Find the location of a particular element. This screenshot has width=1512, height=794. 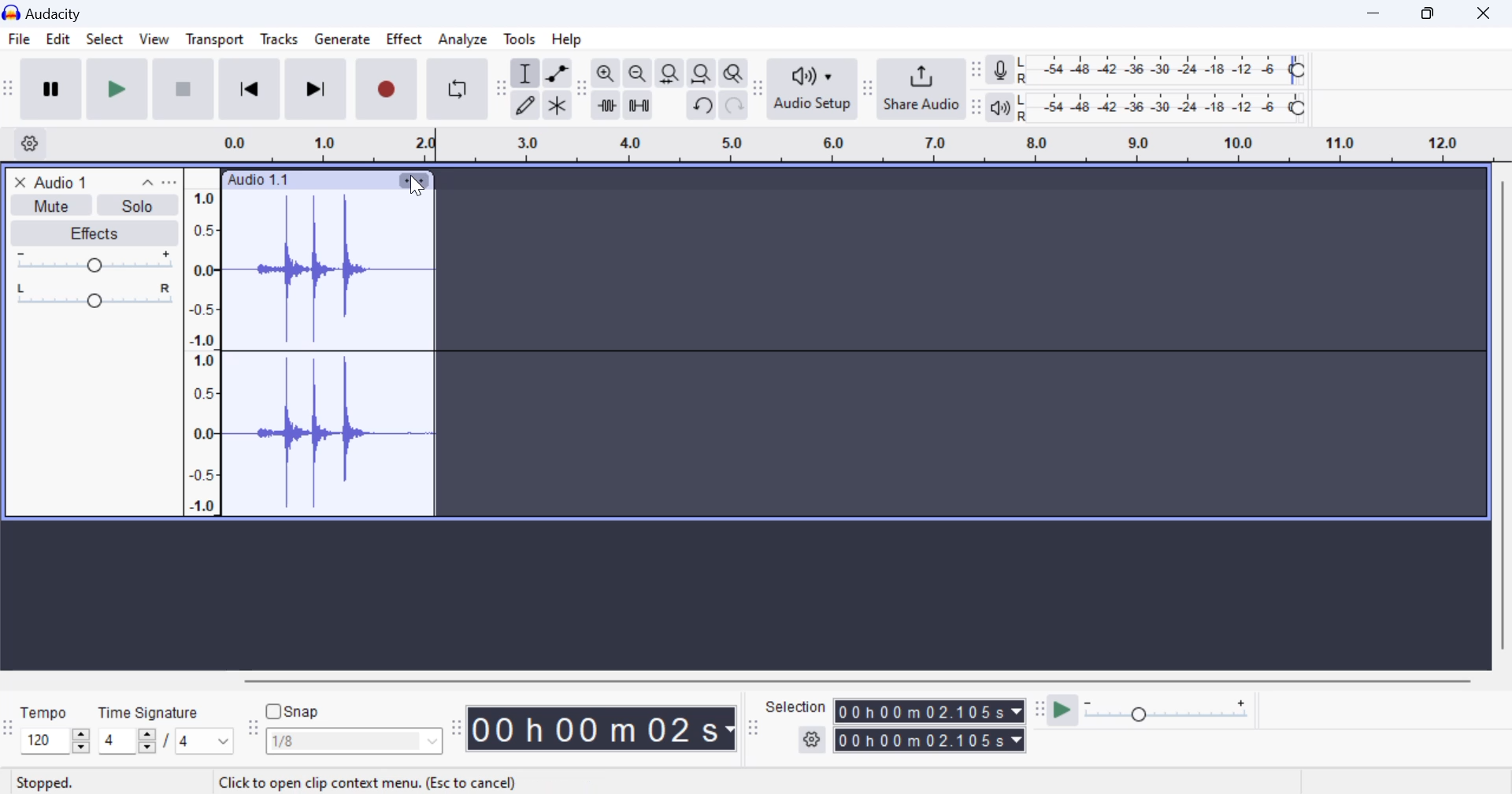

Playback Speed is located at coordinates (1176, 712).